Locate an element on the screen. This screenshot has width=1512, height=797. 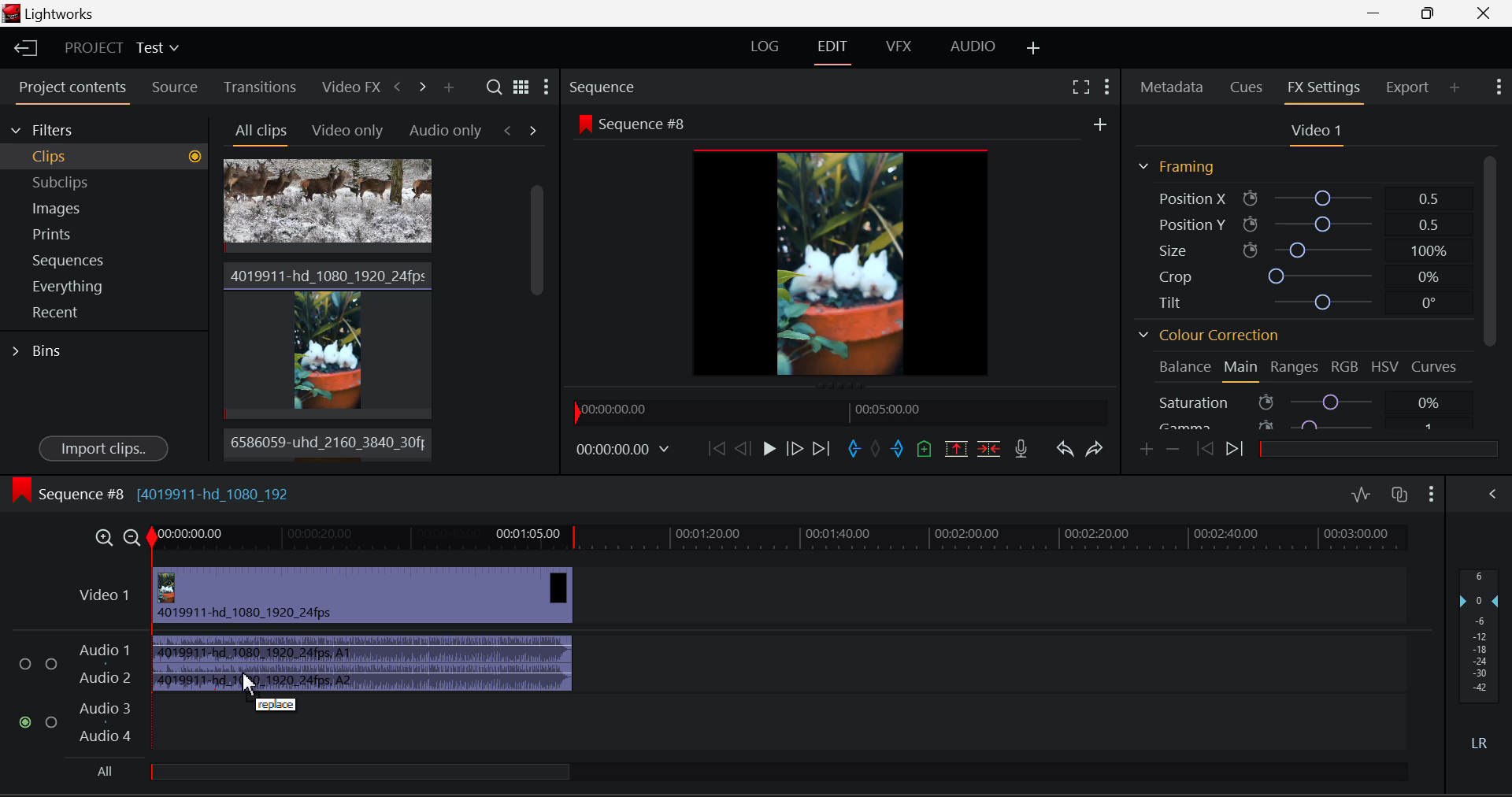
Mark Out is located at coordinates (899, 448).